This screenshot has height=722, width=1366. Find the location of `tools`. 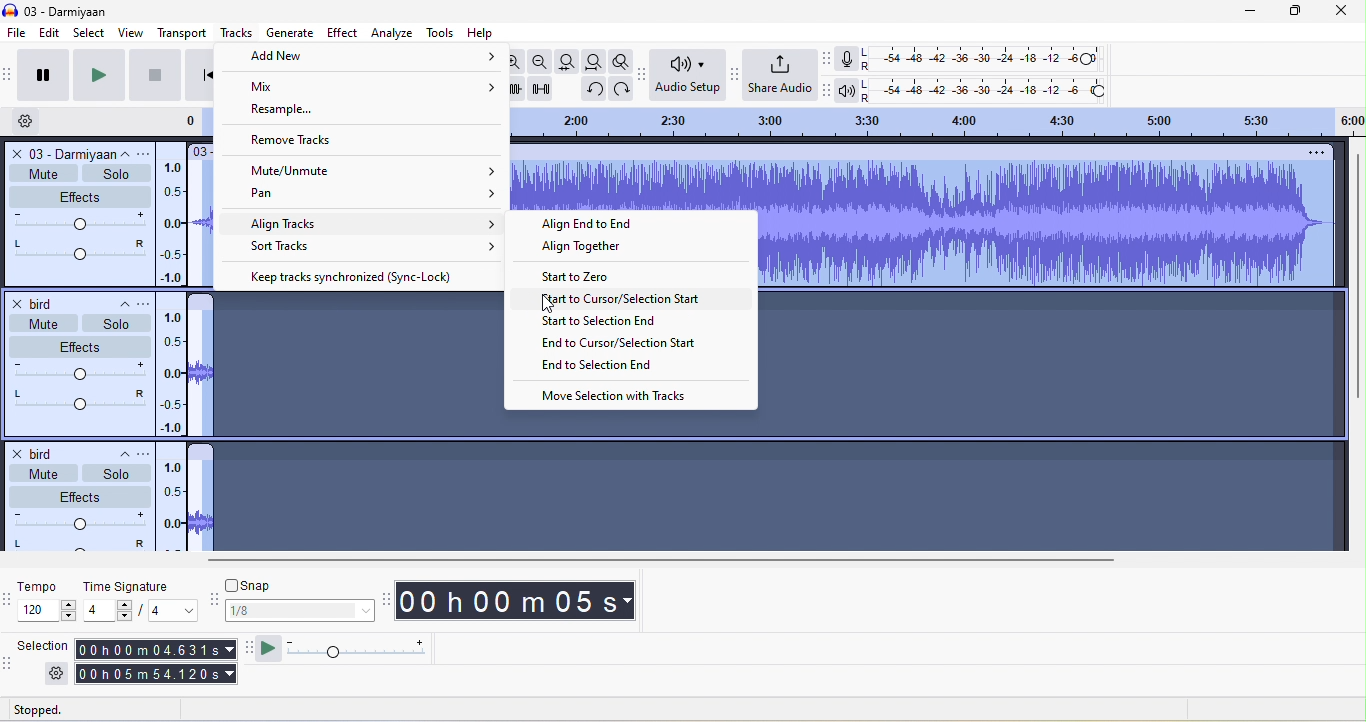

tools is located at coordinates (441, 32).